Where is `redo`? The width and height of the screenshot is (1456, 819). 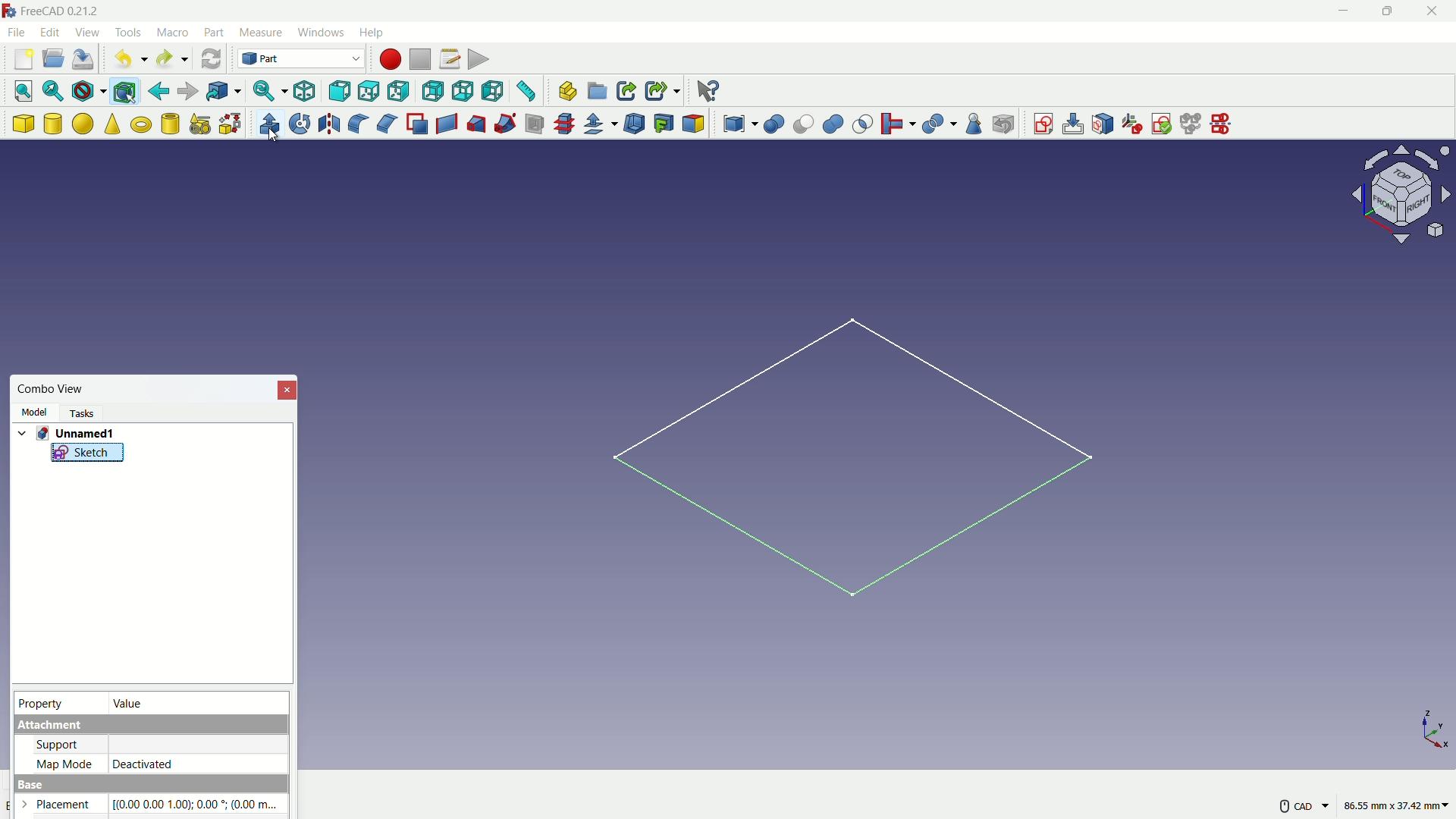 redo is located at coordinates (171, 58).